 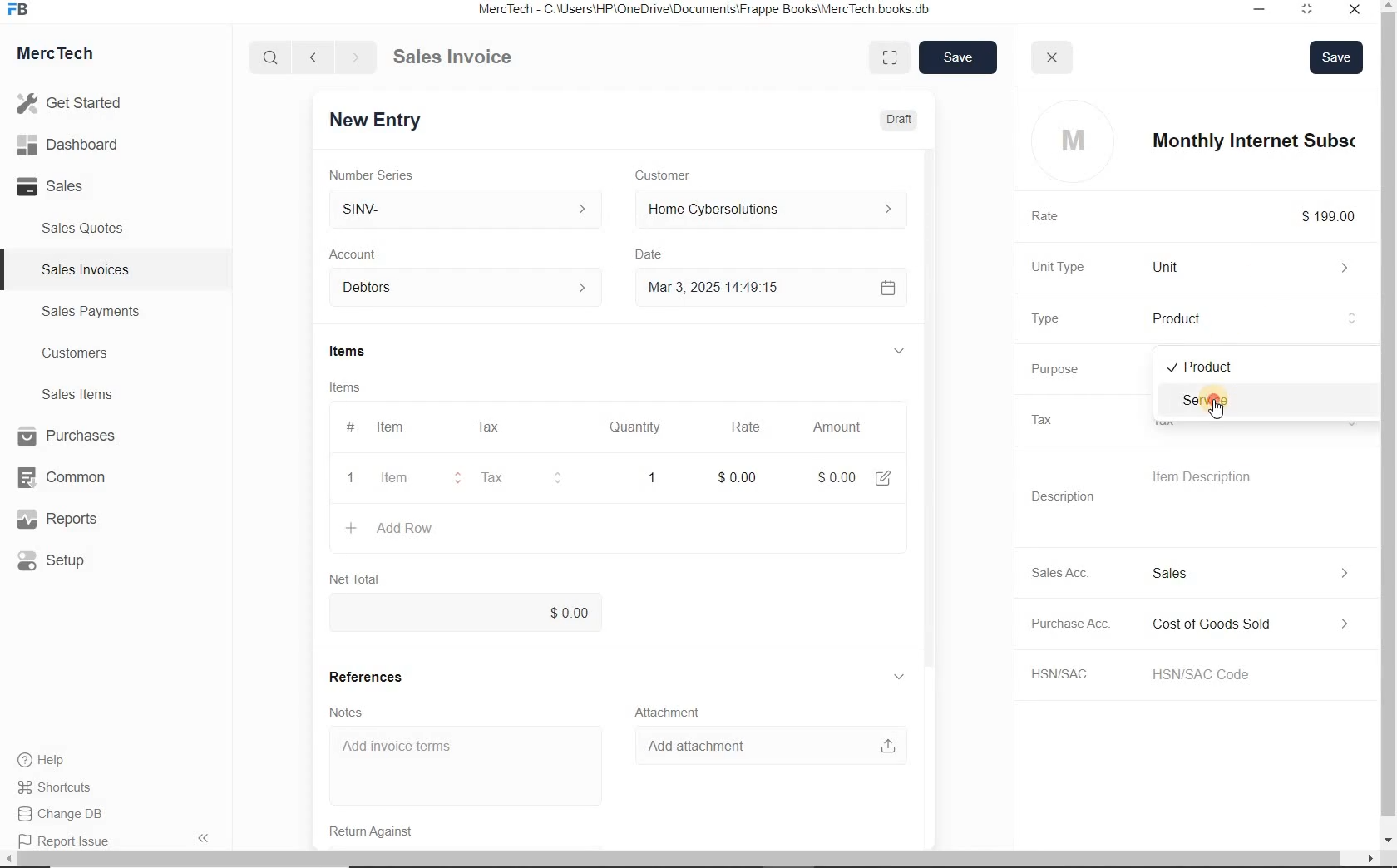 What do you see at coordinates (70, 520) in the screenshot?
I see `Reports` at bounding box center [70, 520].